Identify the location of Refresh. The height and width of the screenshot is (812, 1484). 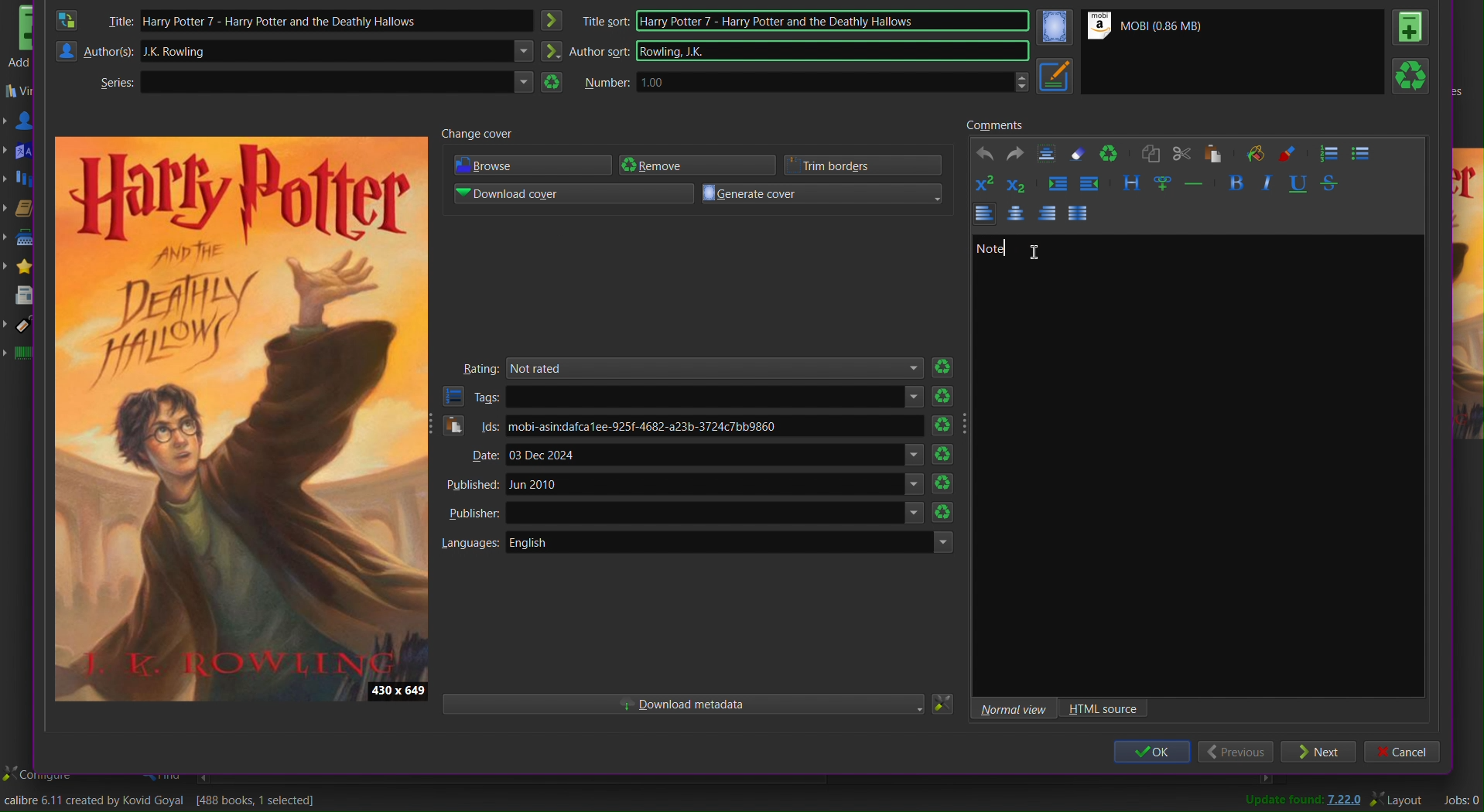
(946, 366).